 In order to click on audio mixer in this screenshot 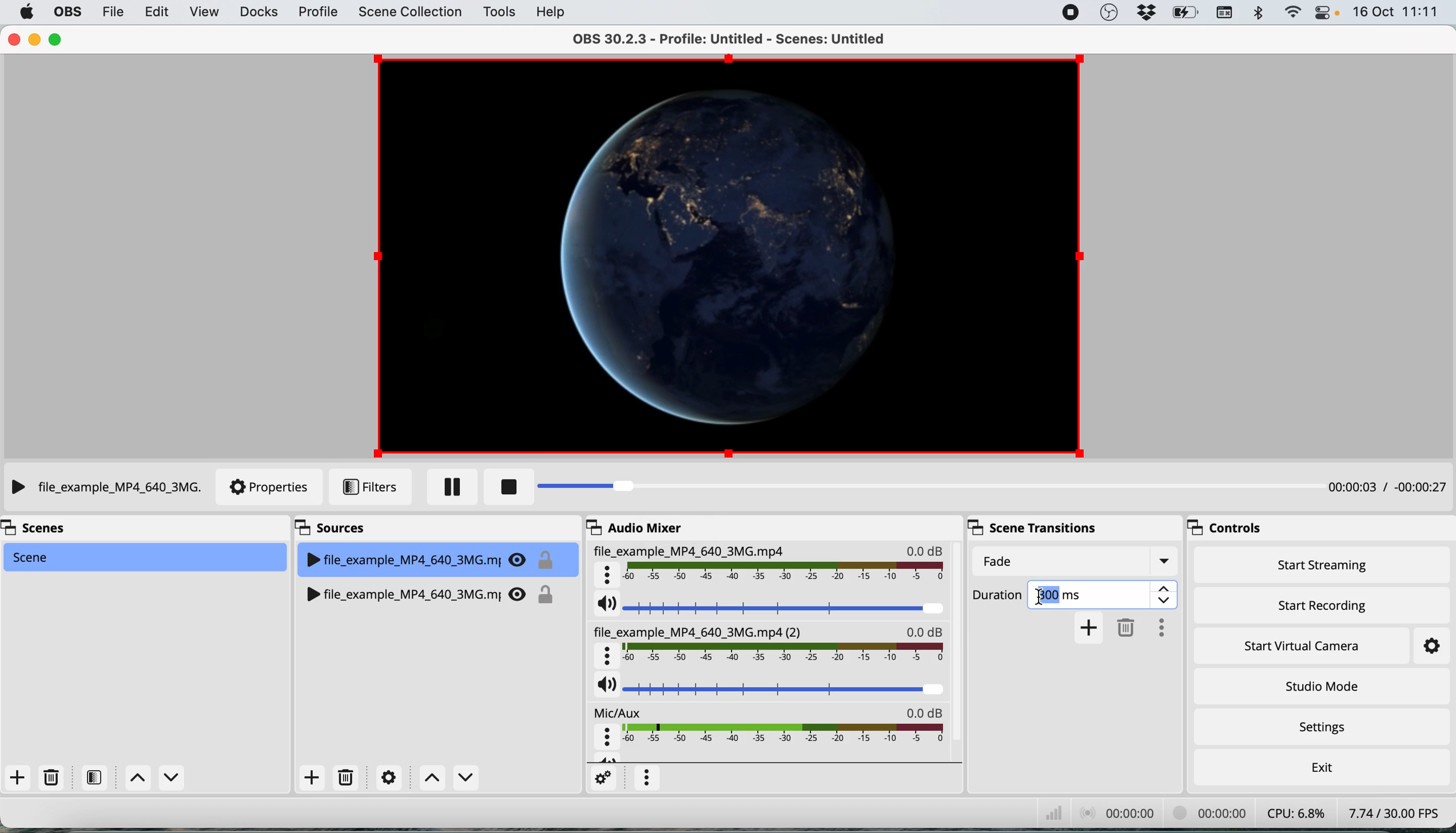, I will do `click(645, 529)`.